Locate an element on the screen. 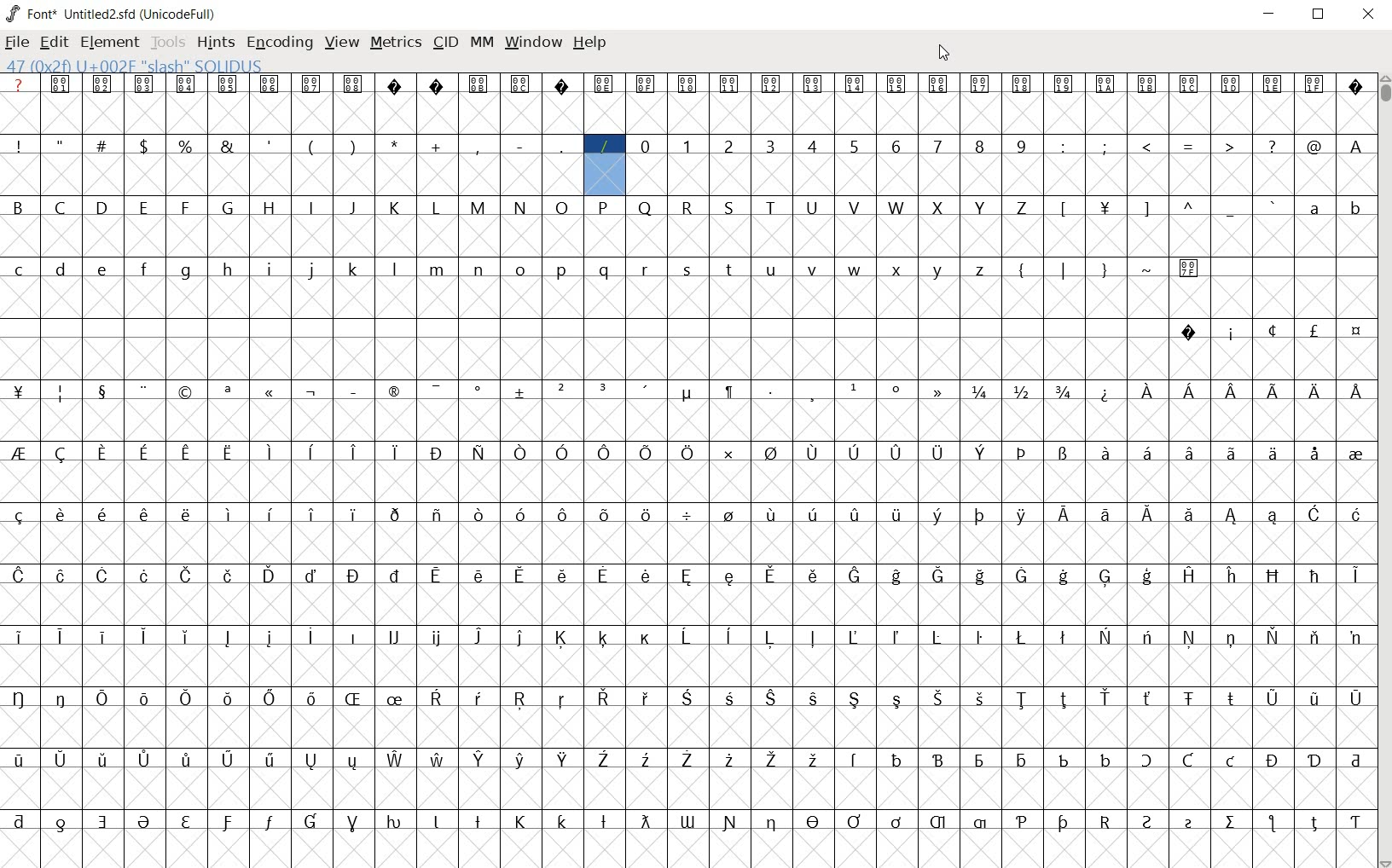 The width and height of the screenshot is (1392, 868). glyph is located at coordinates (731, 698).